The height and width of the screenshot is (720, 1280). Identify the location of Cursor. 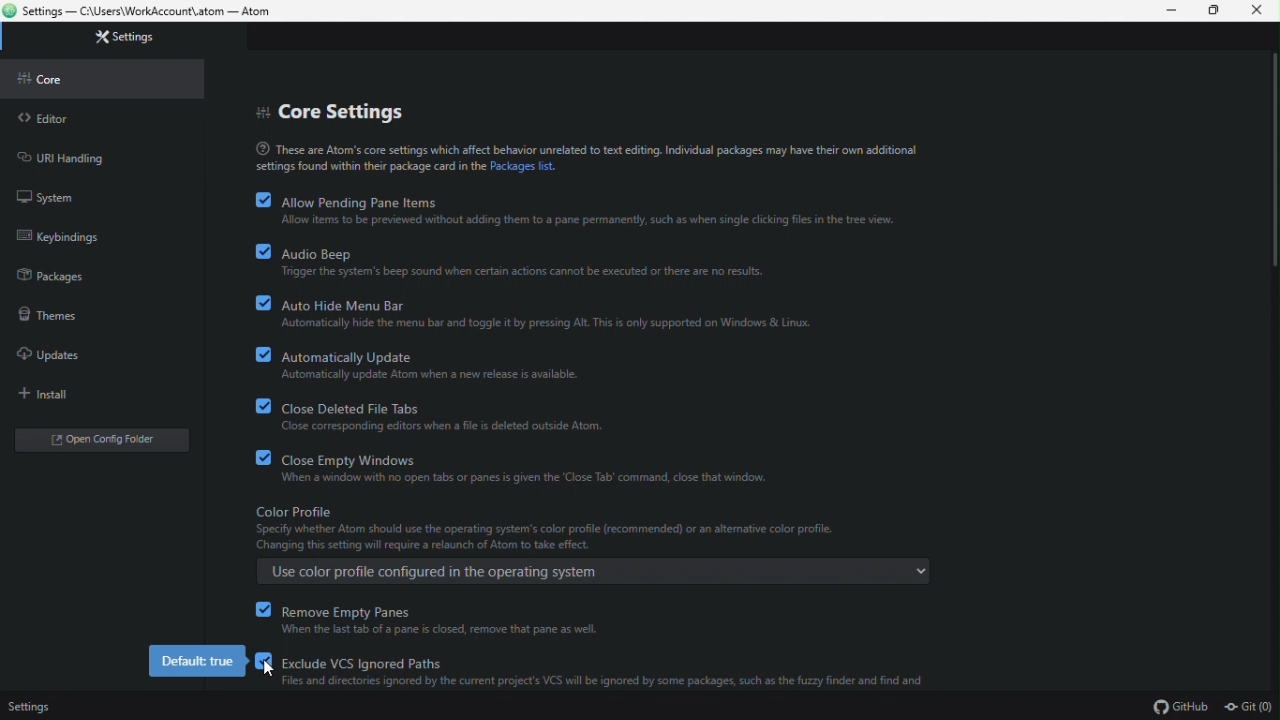
(269, 667).